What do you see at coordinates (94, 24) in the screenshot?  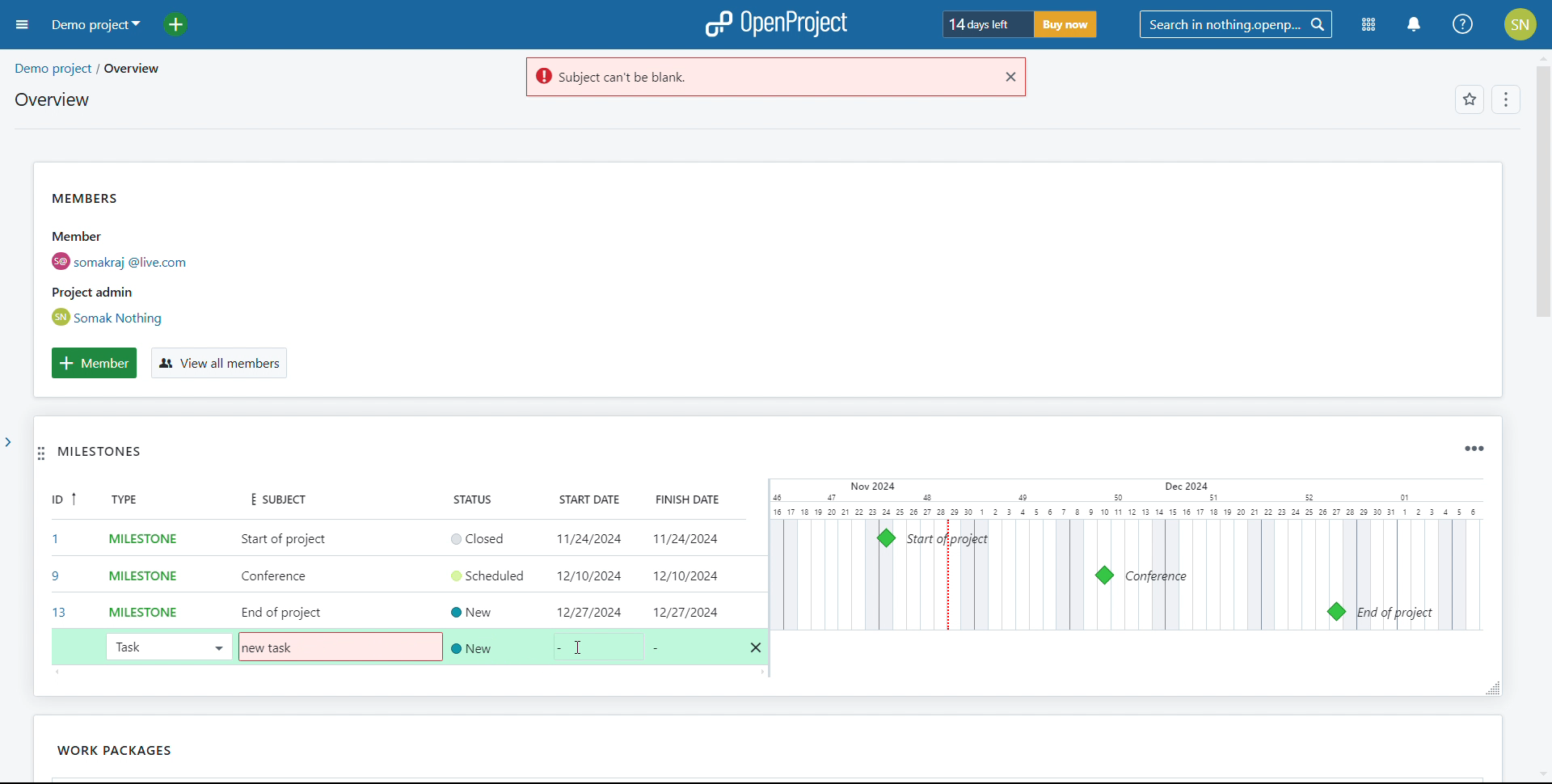 I see `demo project` at bounding box center [94, 24].